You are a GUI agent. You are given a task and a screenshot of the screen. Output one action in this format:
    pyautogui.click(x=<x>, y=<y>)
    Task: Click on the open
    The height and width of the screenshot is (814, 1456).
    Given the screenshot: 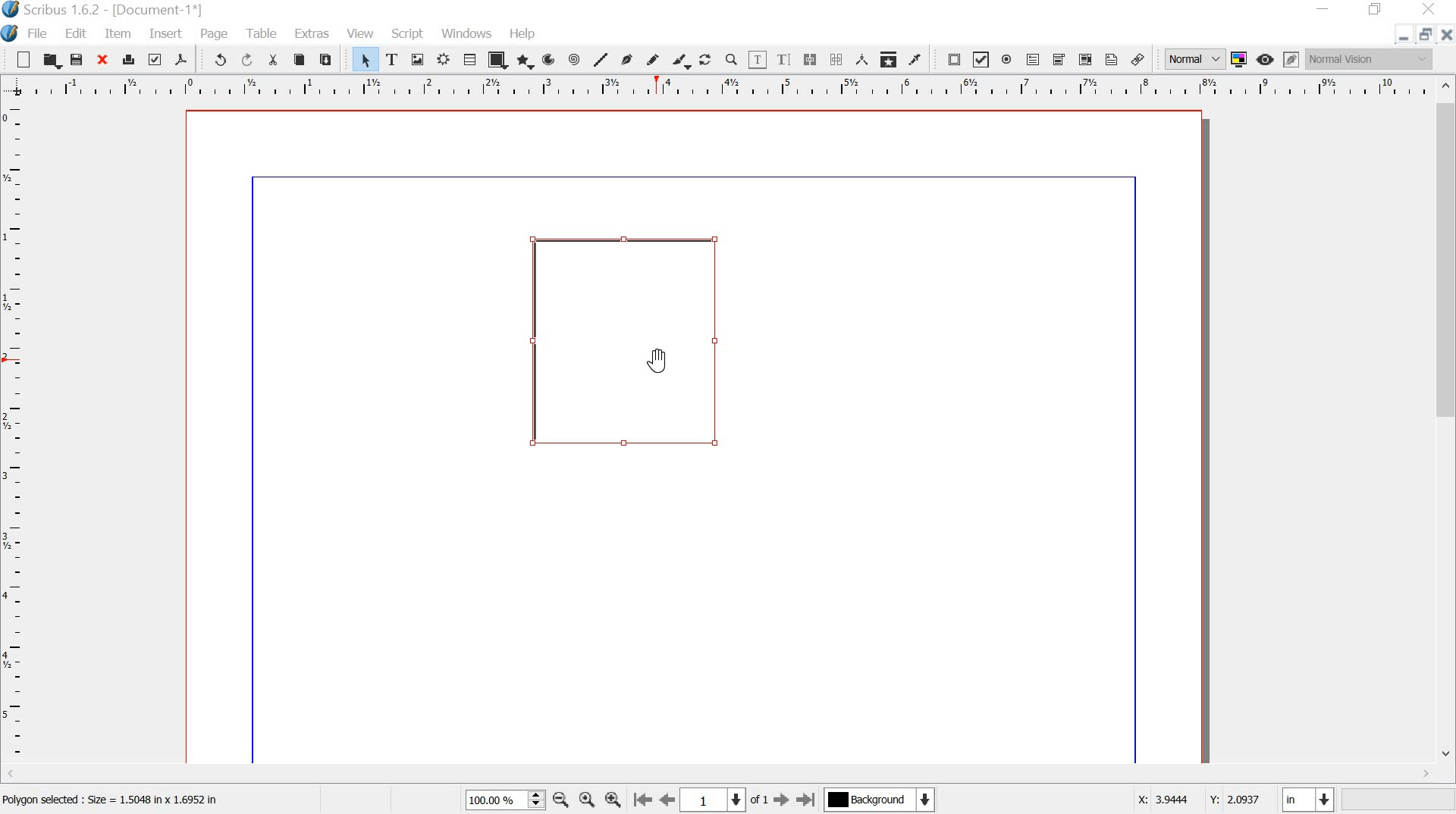 What is the action you would take?
    pyautogui.click(x=50, y=61)
    